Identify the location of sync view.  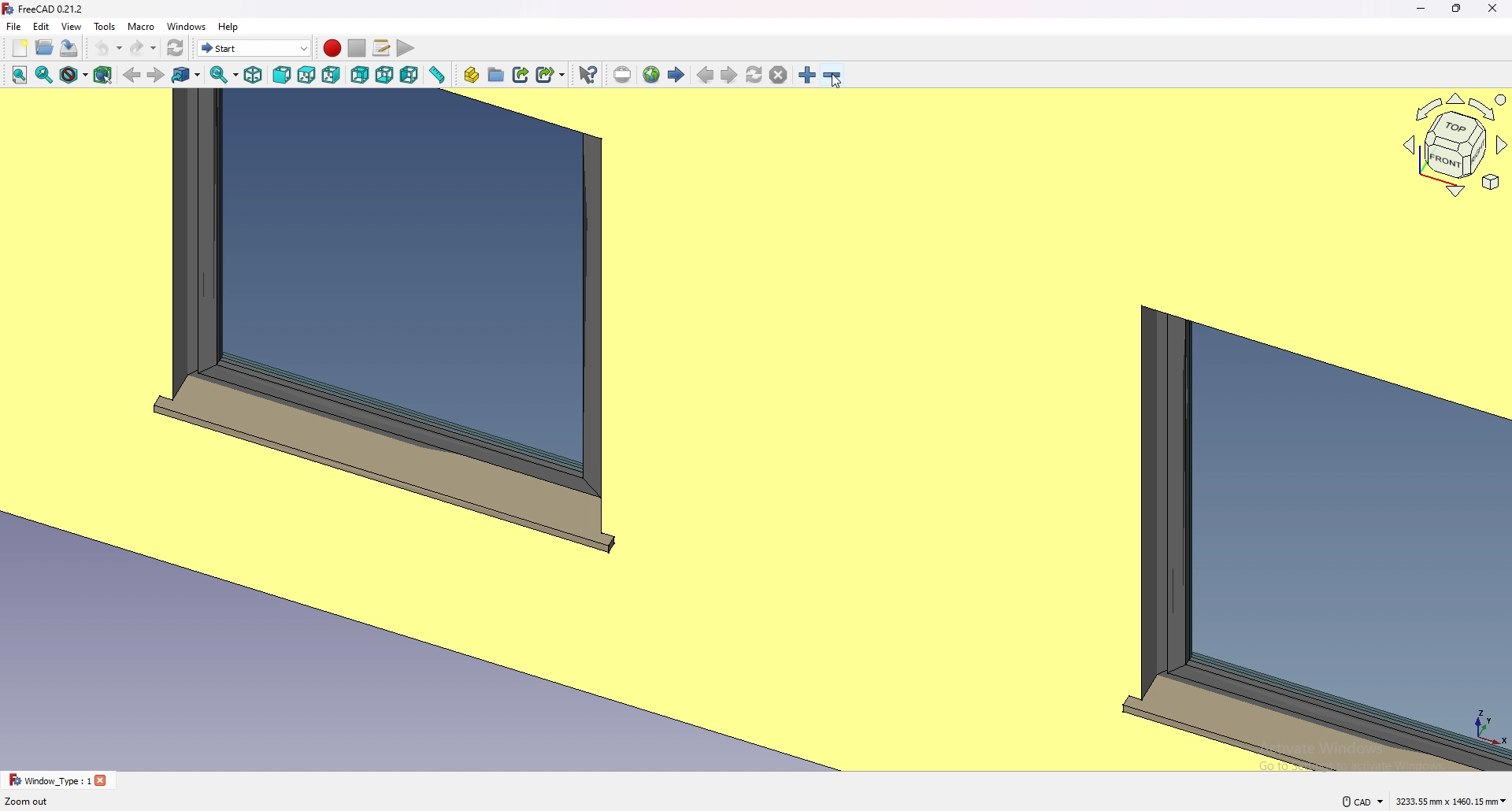
(224, 75).